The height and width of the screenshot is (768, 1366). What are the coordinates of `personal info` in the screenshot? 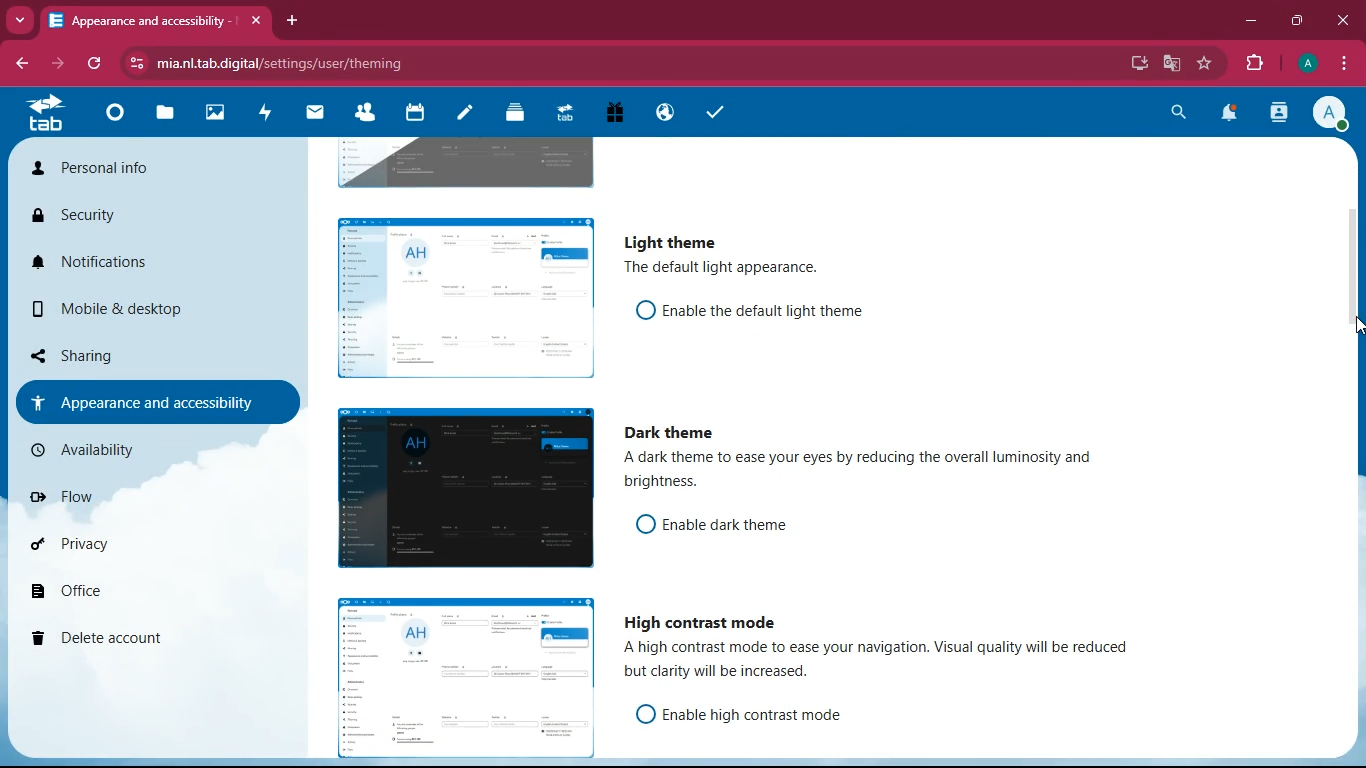 It's located at (103, 169).